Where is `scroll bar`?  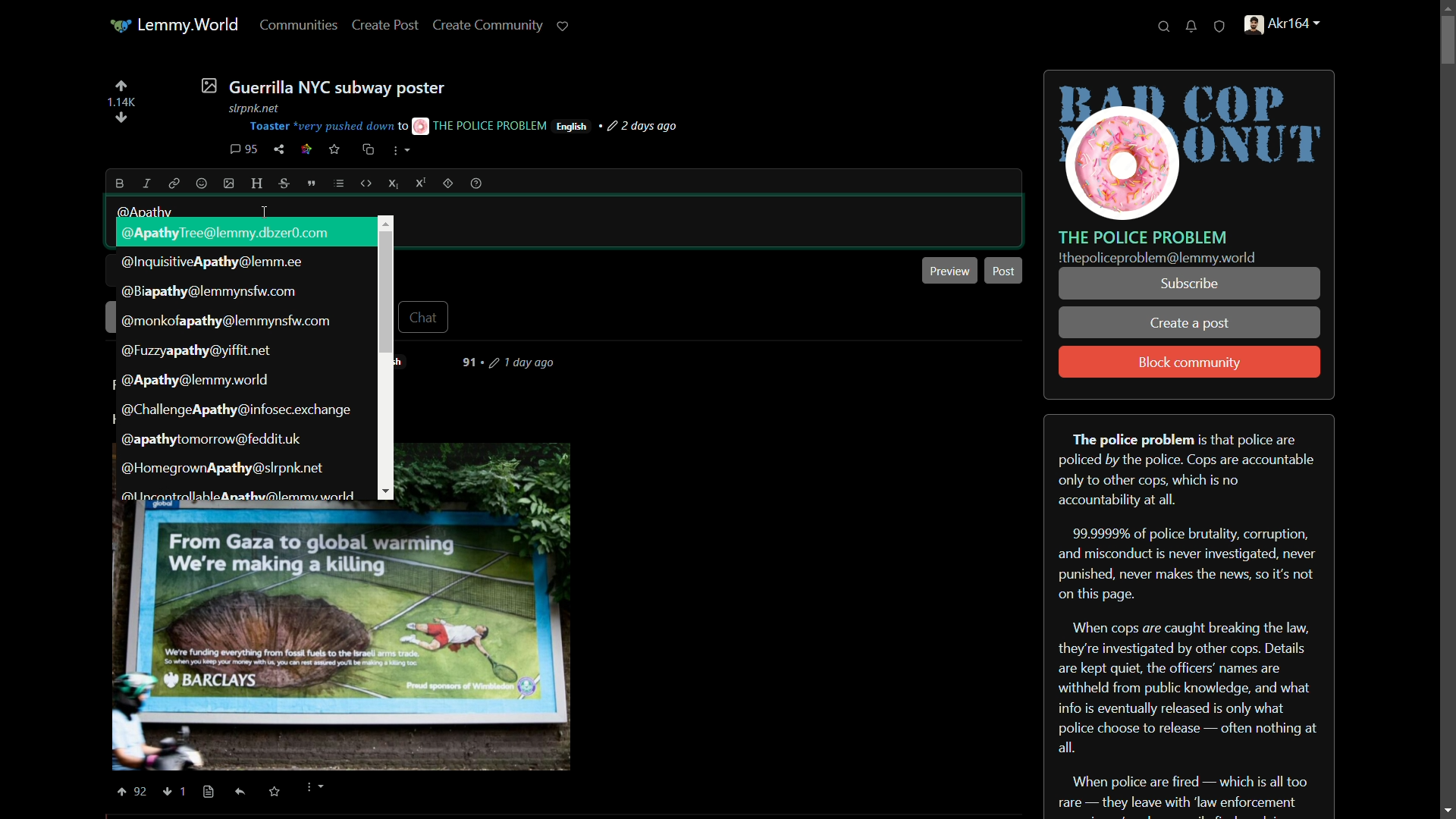 scroll bar is located at coordinates (385, 290).